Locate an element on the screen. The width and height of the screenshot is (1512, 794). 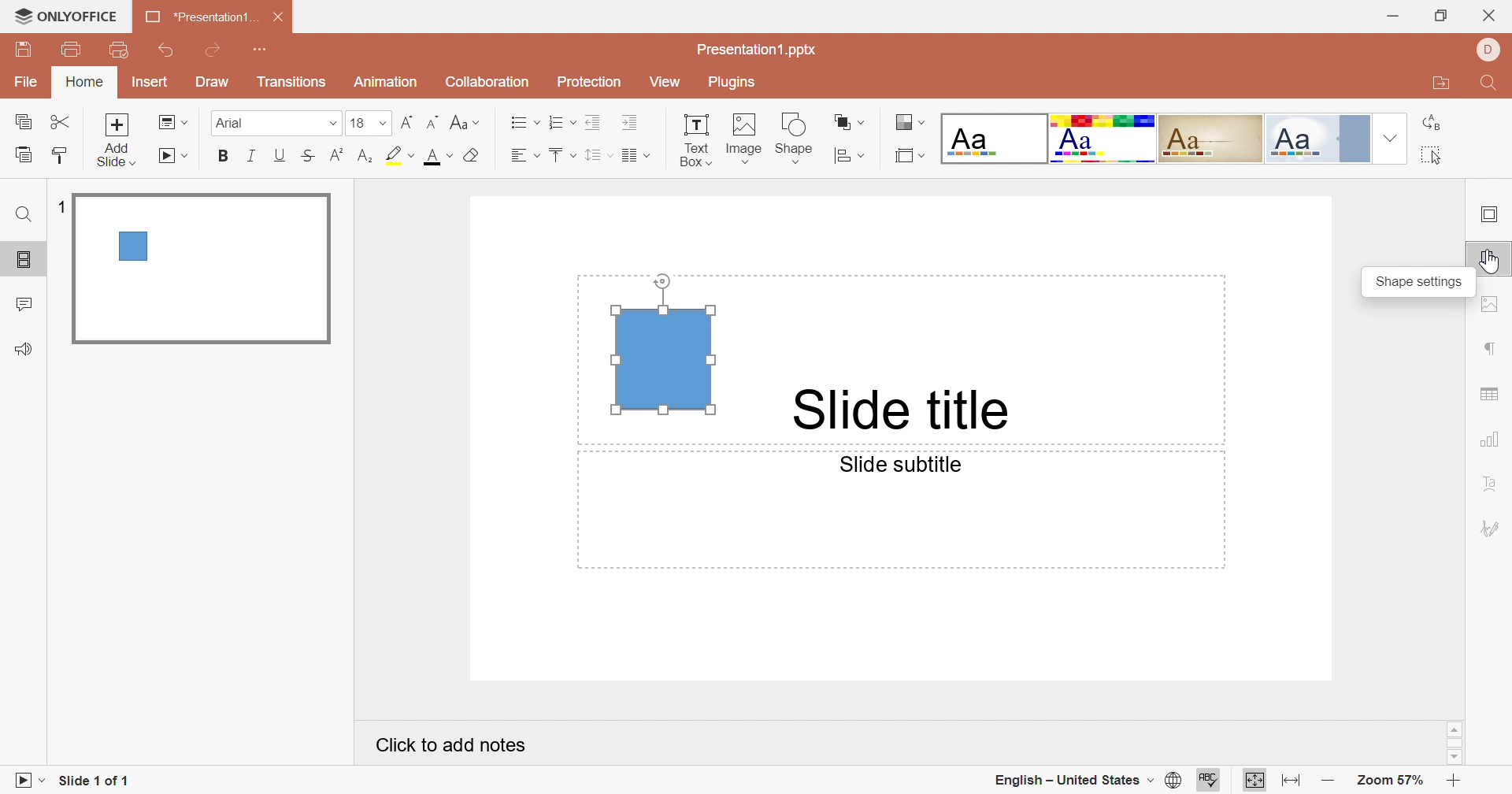
Slides is located at coordinates (27, 260).